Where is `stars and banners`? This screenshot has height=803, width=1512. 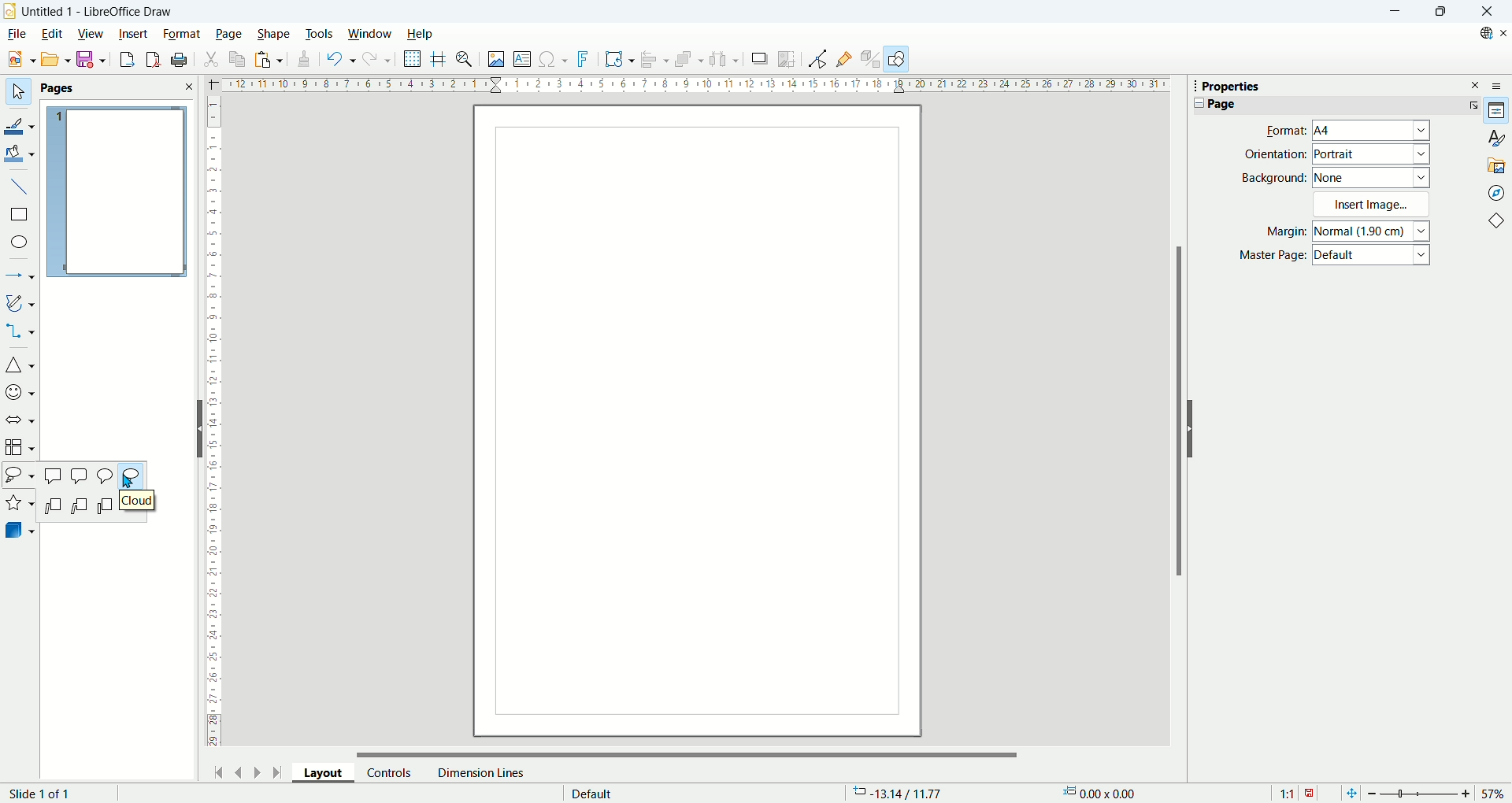 stars and banners is located at coordinates (17, 505).